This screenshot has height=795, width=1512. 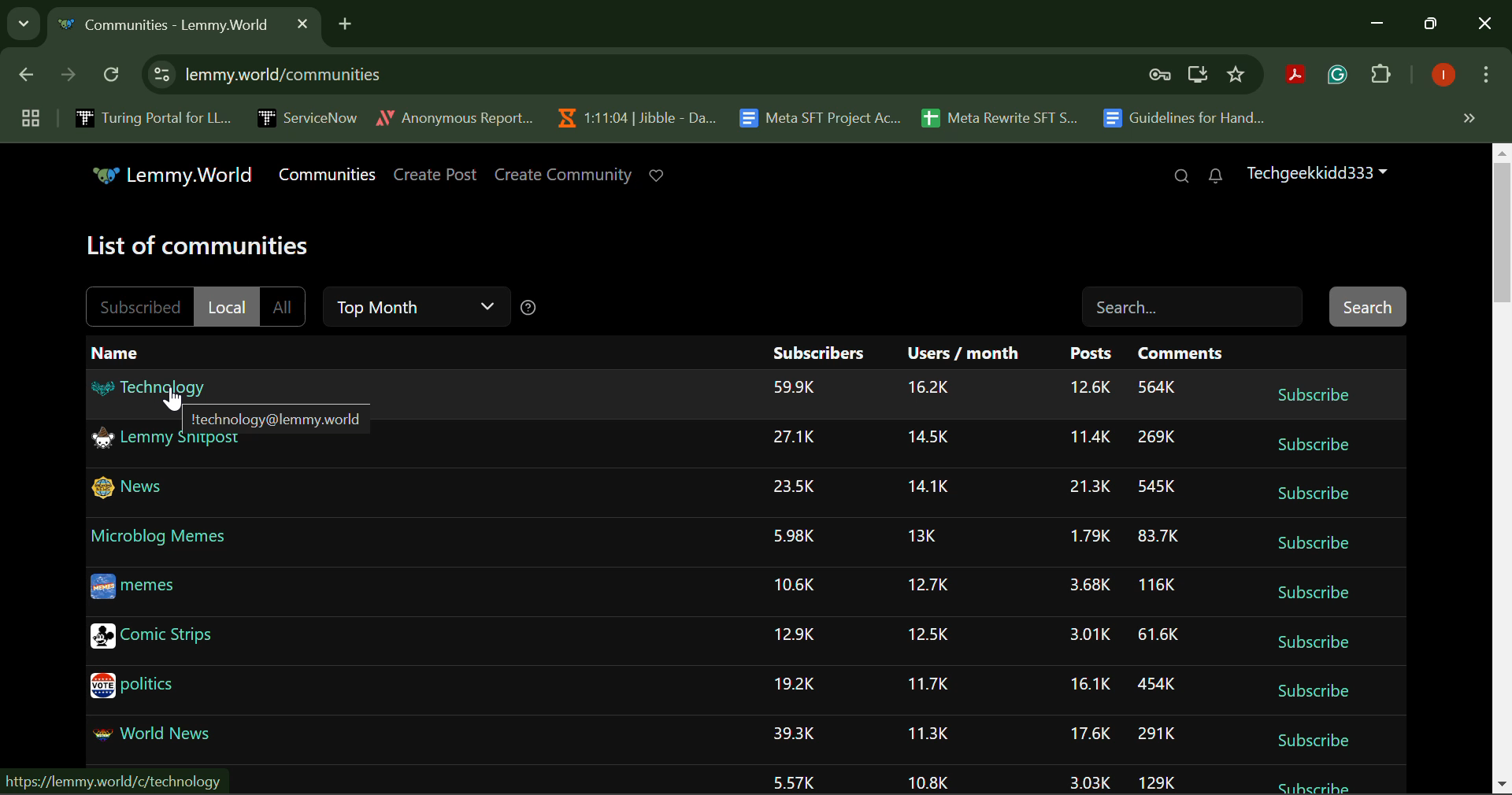 I want to click on Users/month Column Values, so click(x=929, y=584).